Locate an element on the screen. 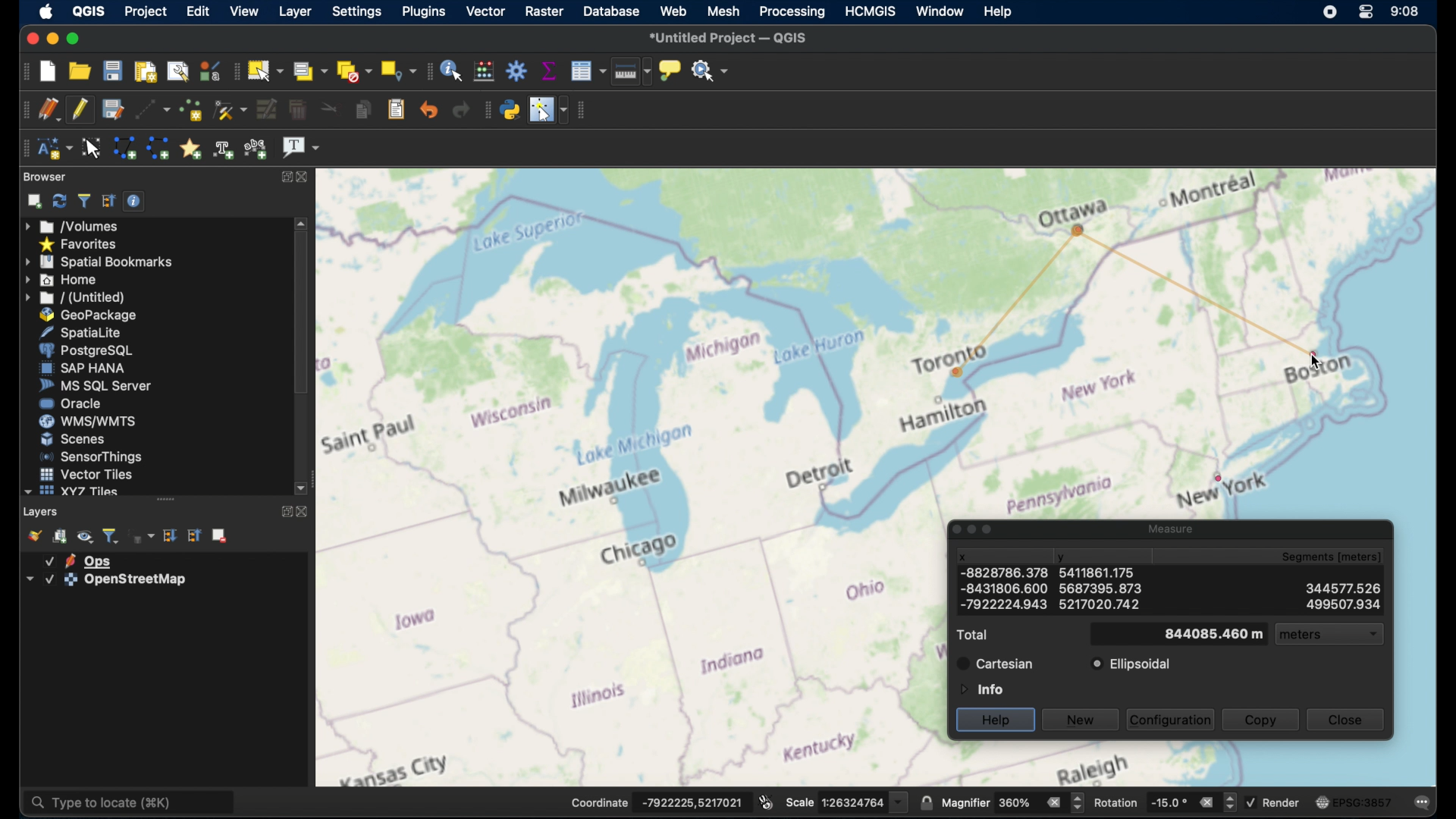  ms sql server is located at coordinates (95, 387).